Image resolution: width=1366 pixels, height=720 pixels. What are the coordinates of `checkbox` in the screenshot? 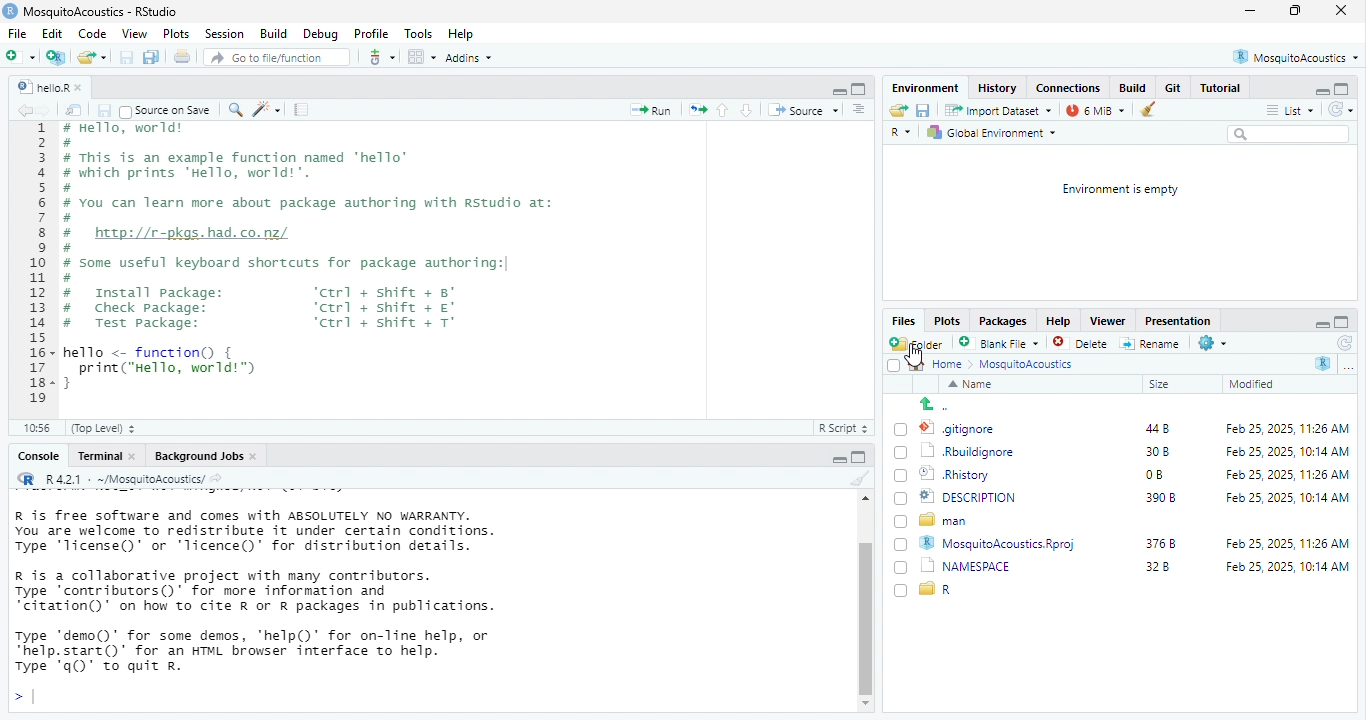 It's located at (900, 499).